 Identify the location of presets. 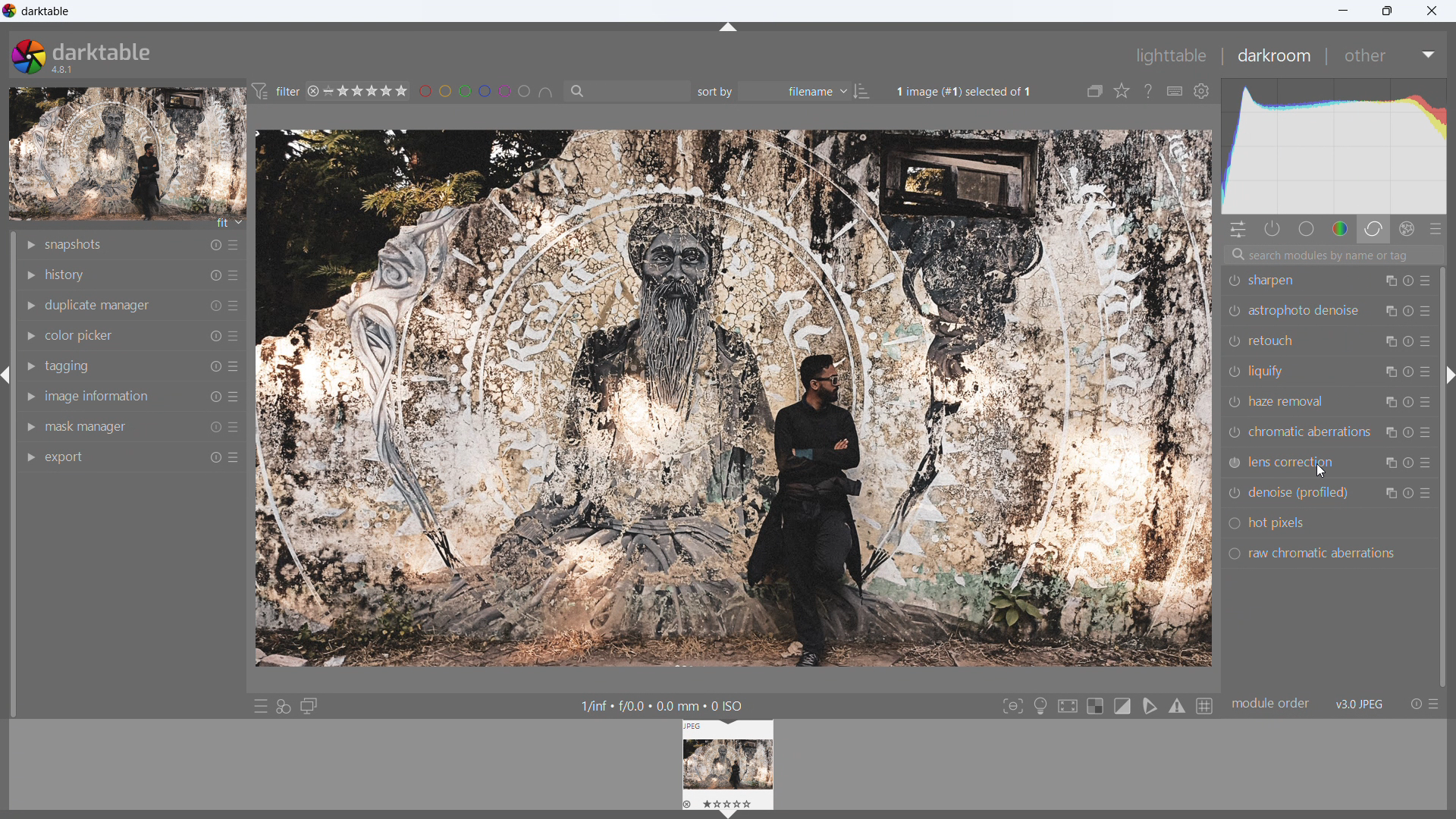
(1437, 227).